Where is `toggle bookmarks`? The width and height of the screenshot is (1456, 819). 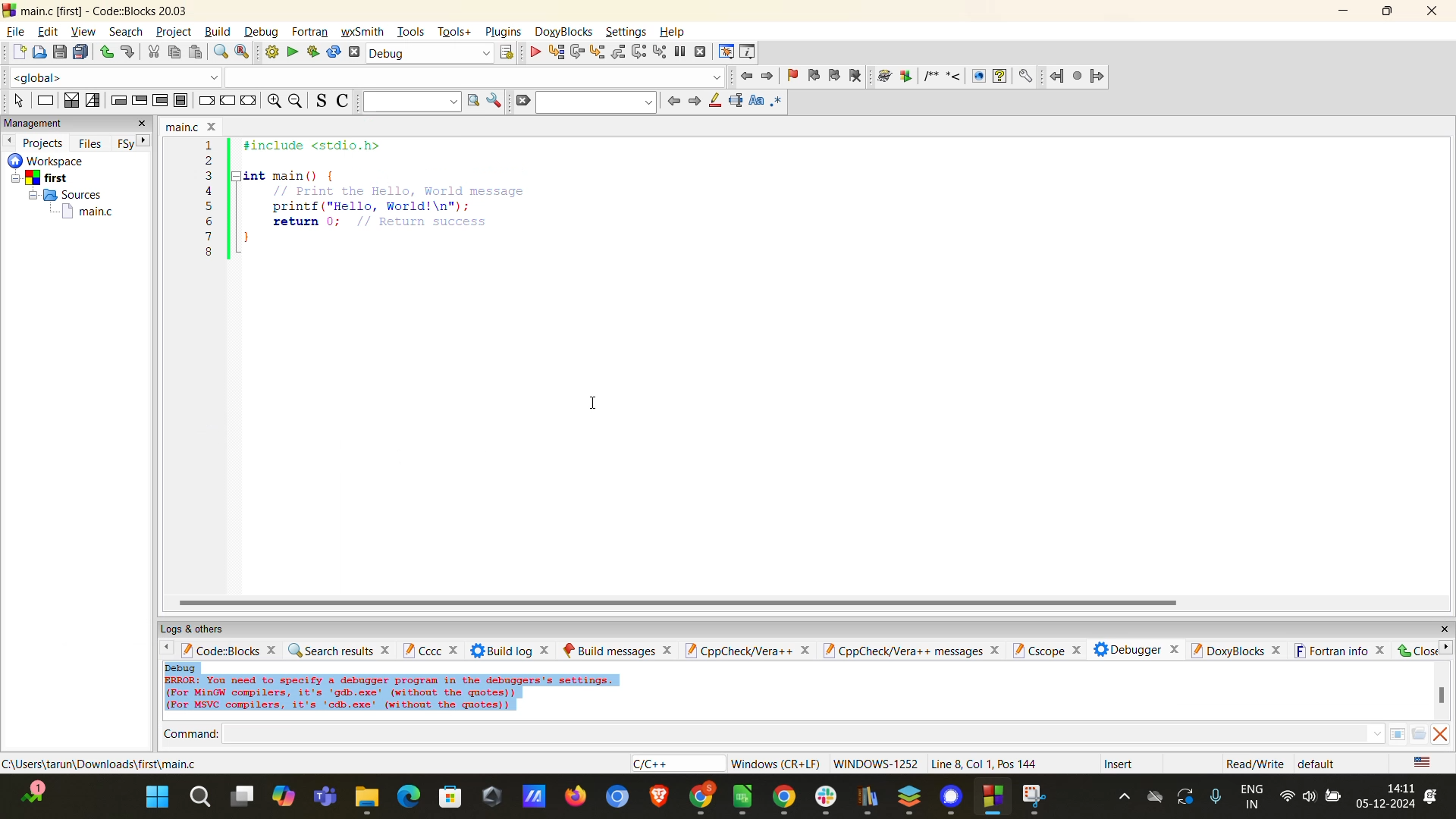 toggle bookmarks is located at coordinates (794, 77).